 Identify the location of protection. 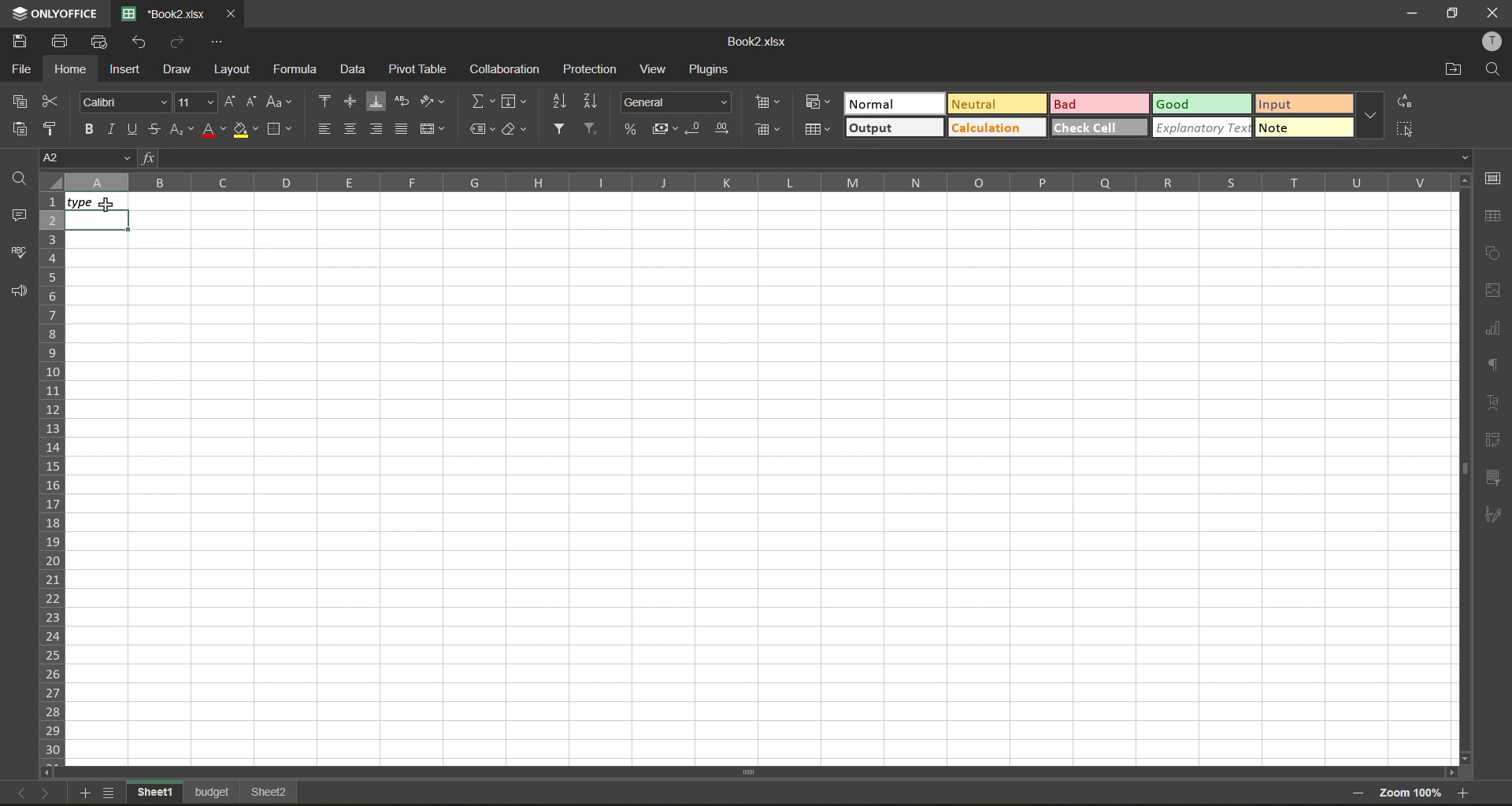
(591, 68).